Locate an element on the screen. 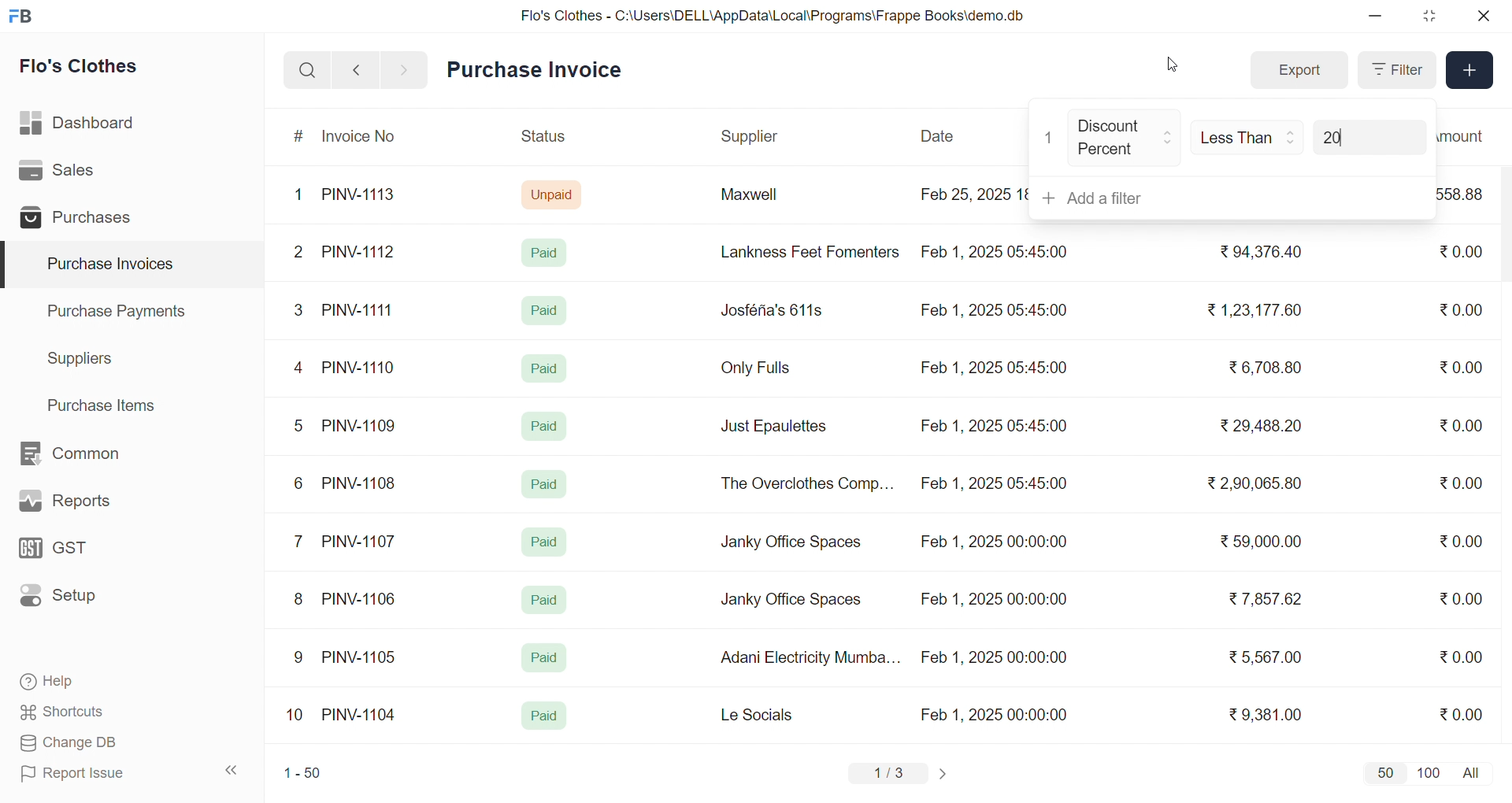  Paid is located at coordinates (543, 658).